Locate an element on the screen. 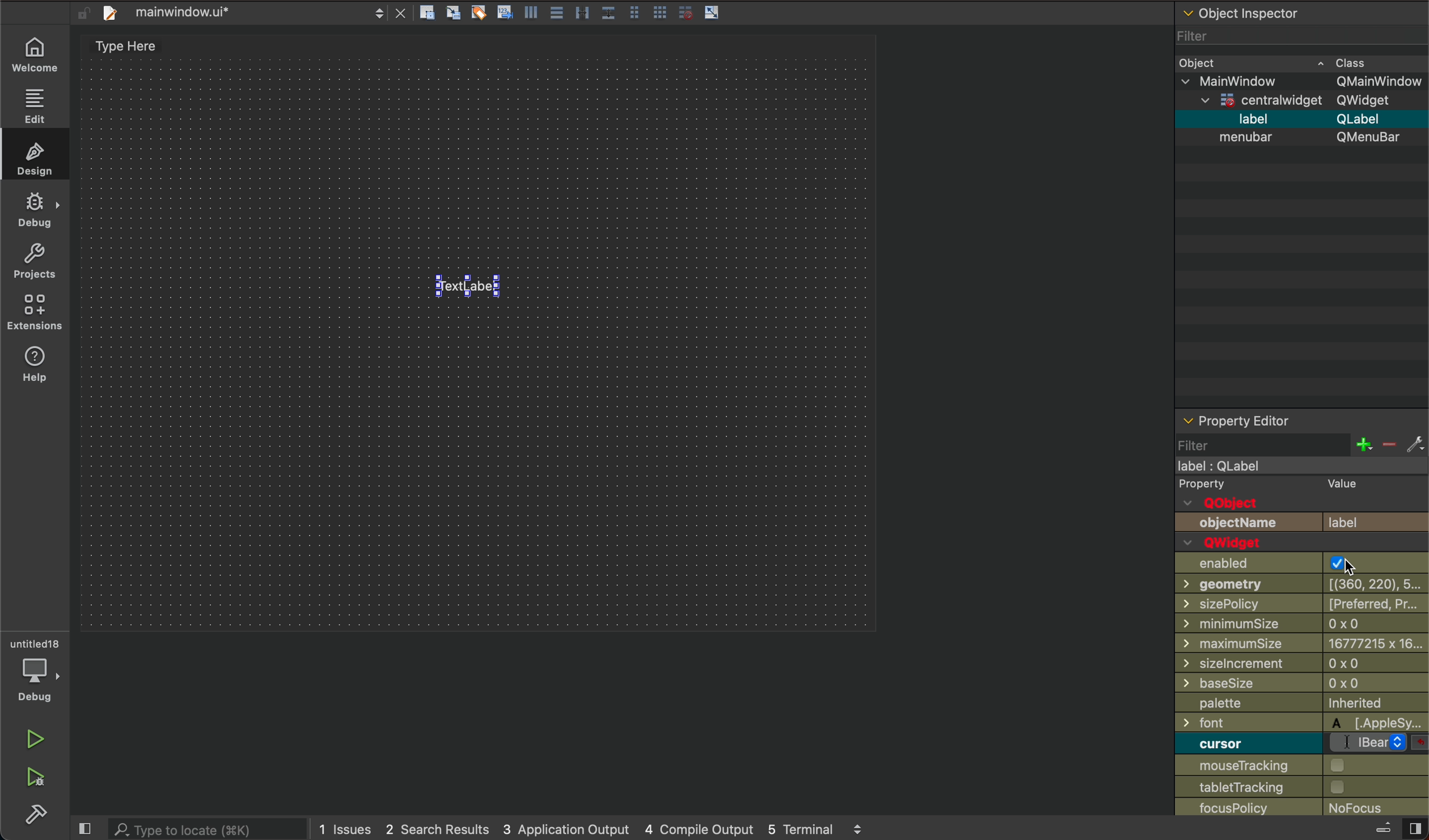 This screenshot has height=840, width=1429. maximumSize is located at coordinates (1230, 642).